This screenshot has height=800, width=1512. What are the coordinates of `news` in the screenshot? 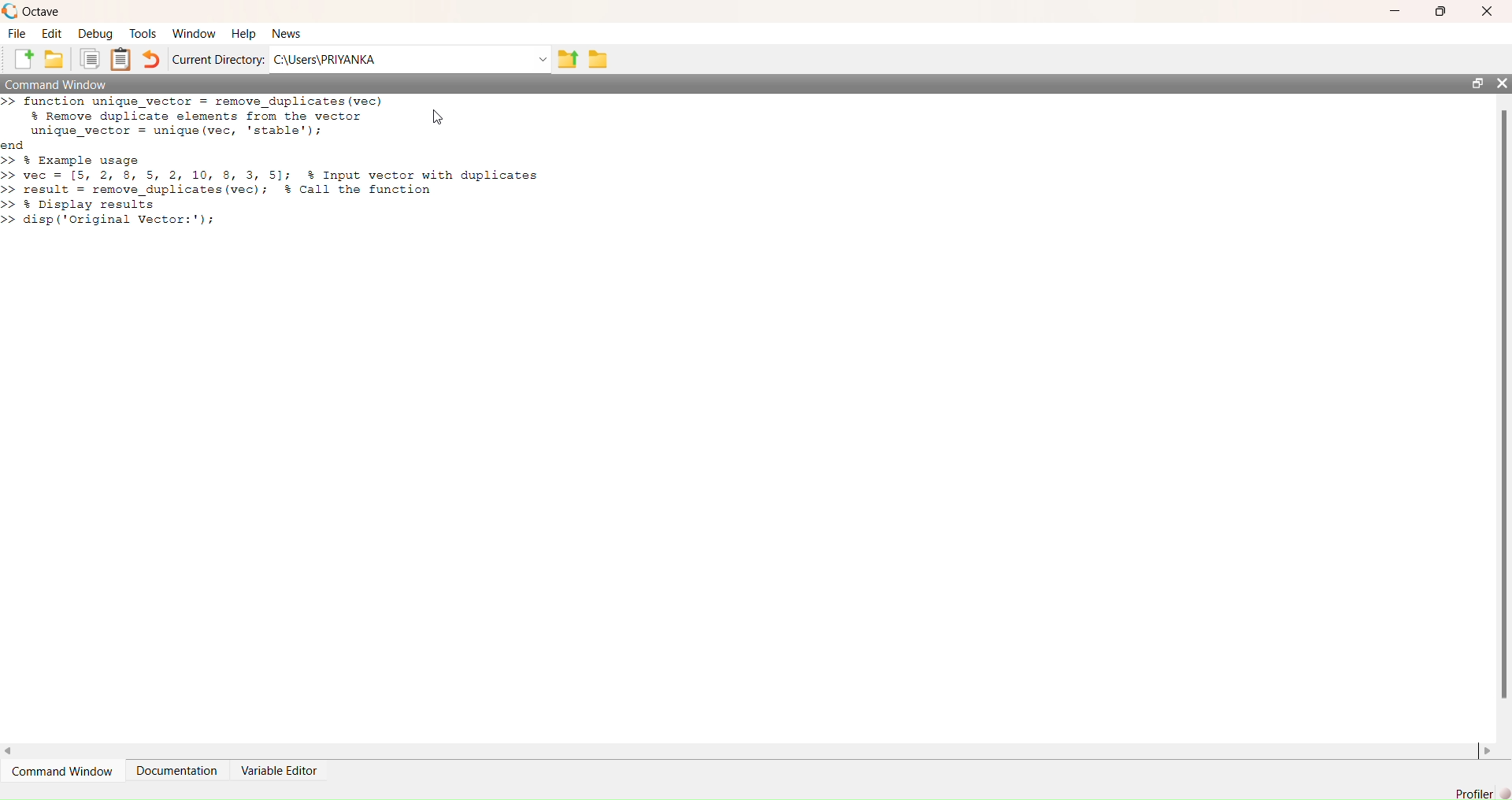 It's located at (287, 34).